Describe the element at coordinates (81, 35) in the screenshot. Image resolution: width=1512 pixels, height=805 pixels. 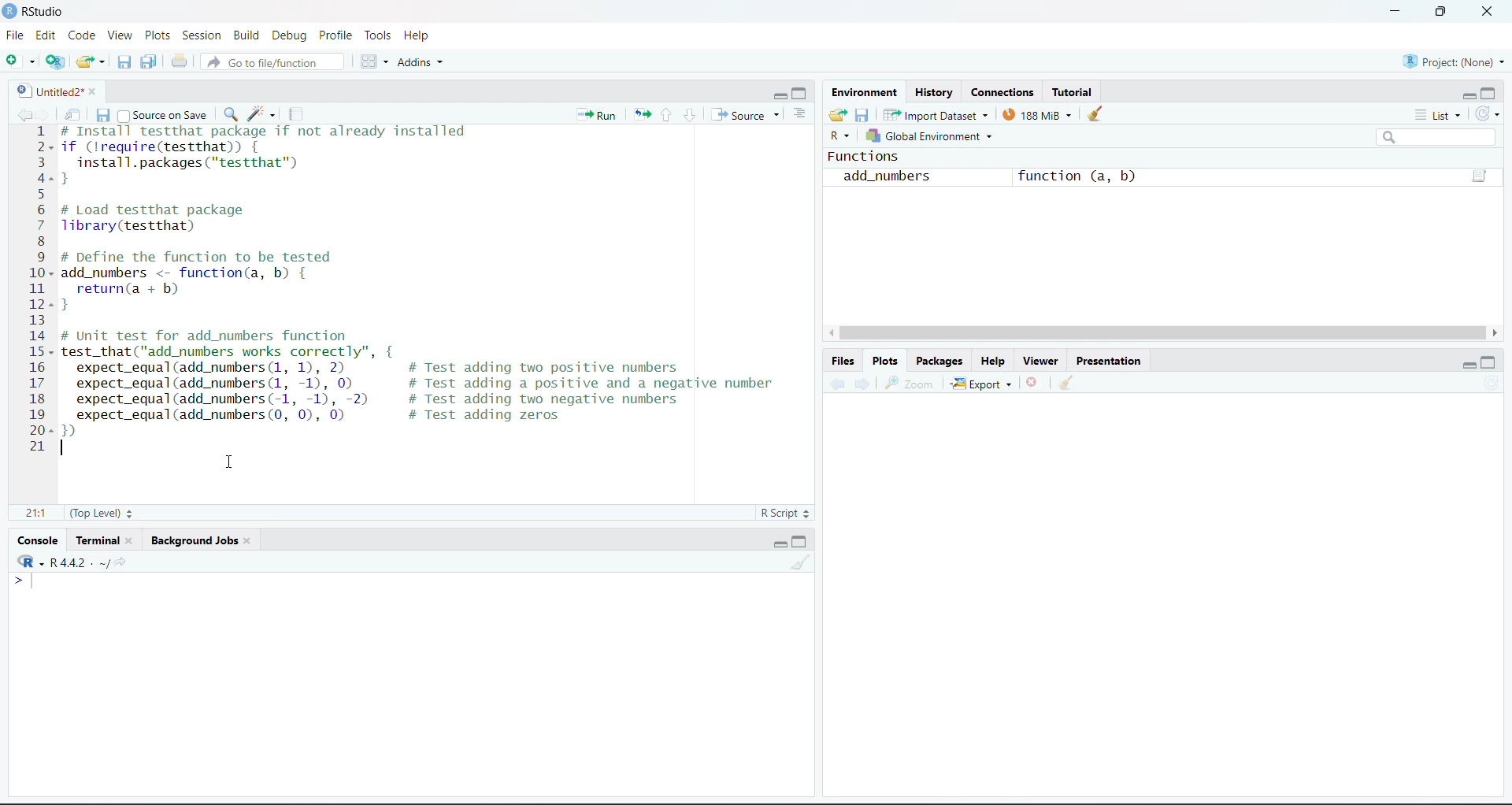
I see `Code` at that location.